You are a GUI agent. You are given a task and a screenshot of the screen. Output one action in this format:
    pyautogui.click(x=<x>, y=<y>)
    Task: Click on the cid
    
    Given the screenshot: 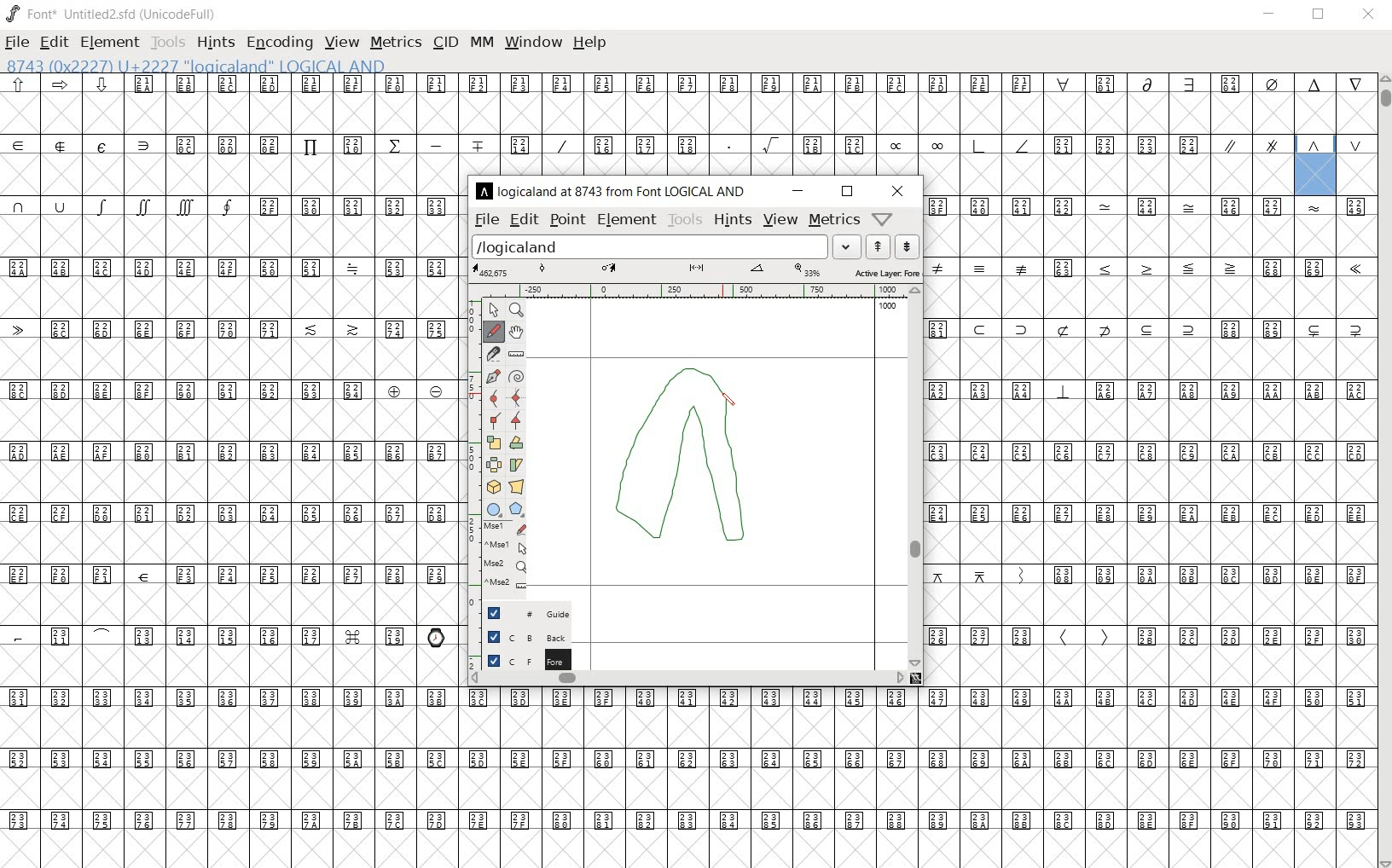 What is the action you would take?
    pyautogui.click(x=445, y=41)
    